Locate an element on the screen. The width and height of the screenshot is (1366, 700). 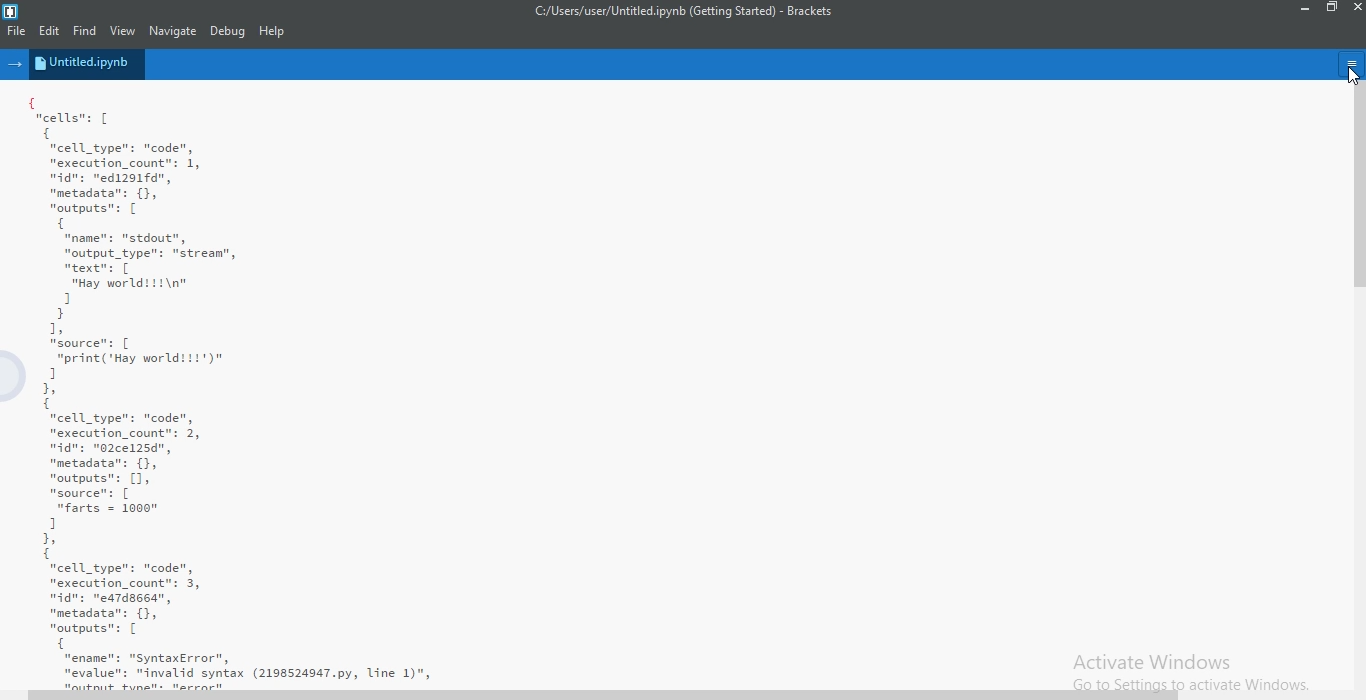
Debug is located at coordinates (228, 32).